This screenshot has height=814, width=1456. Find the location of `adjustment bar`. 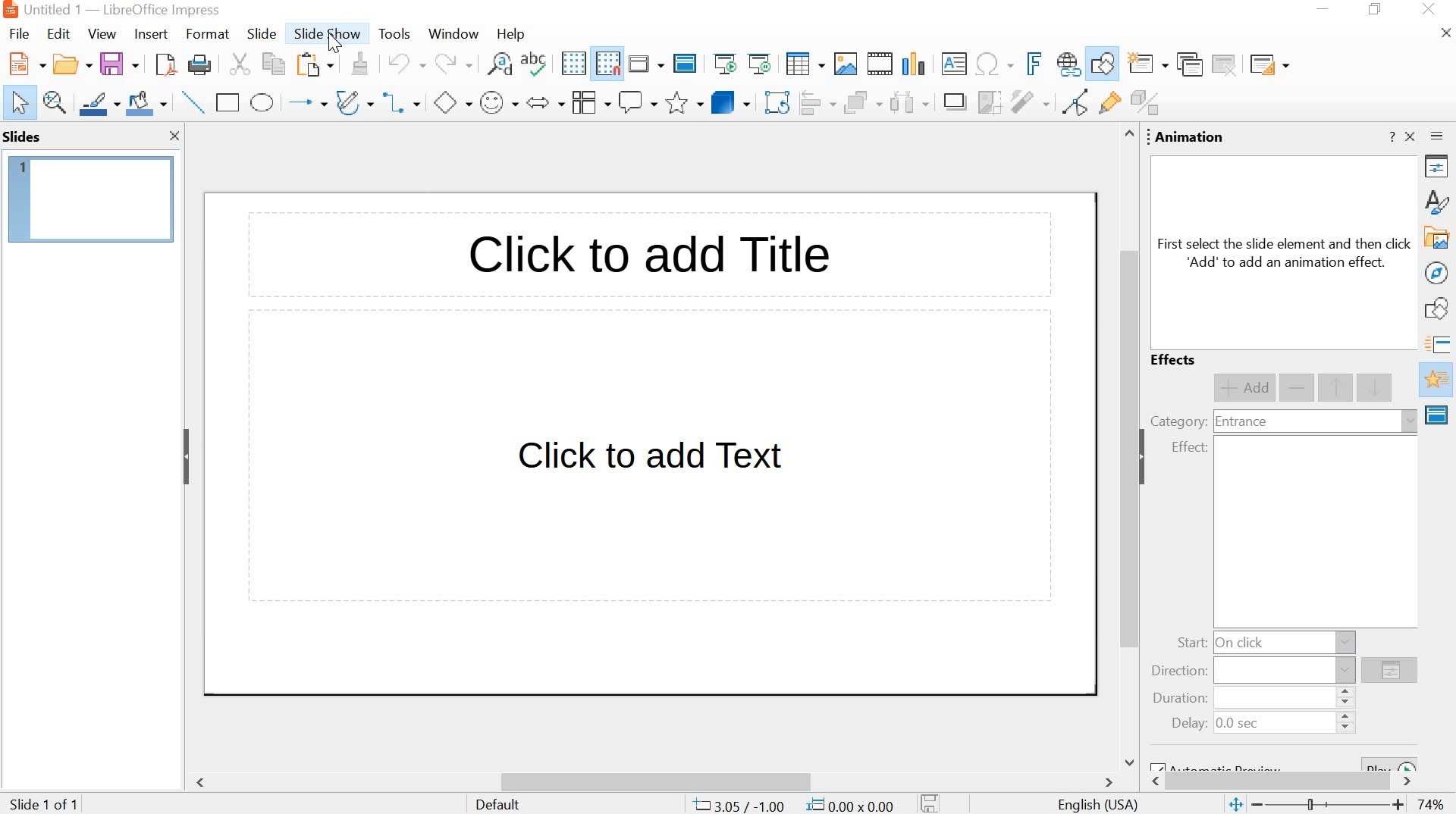

adjustment bar is located at coordinates (1331, 806).